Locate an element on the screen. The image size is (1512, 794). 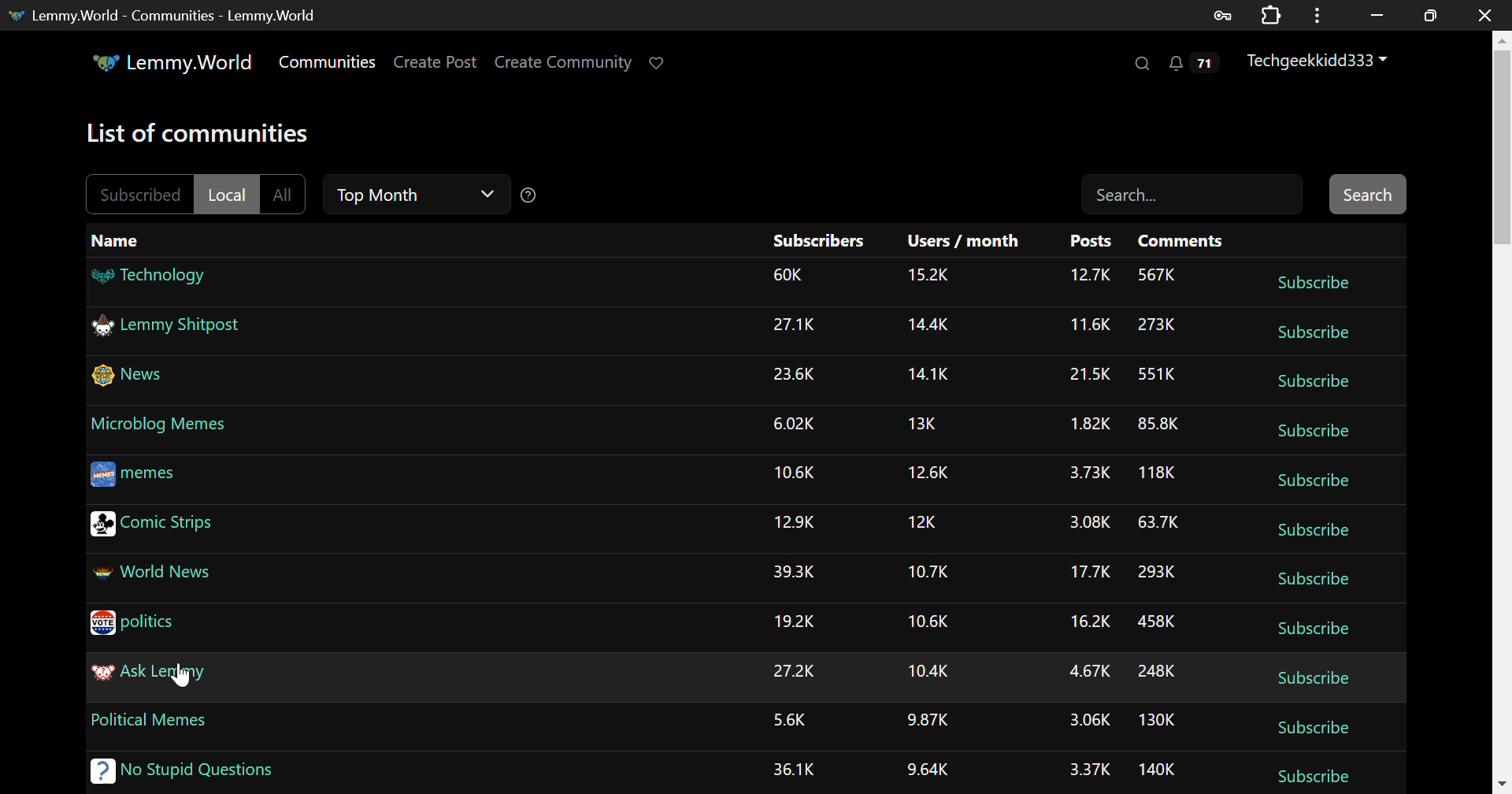
Comments Column Heading is located at coordinates (1187, 242).